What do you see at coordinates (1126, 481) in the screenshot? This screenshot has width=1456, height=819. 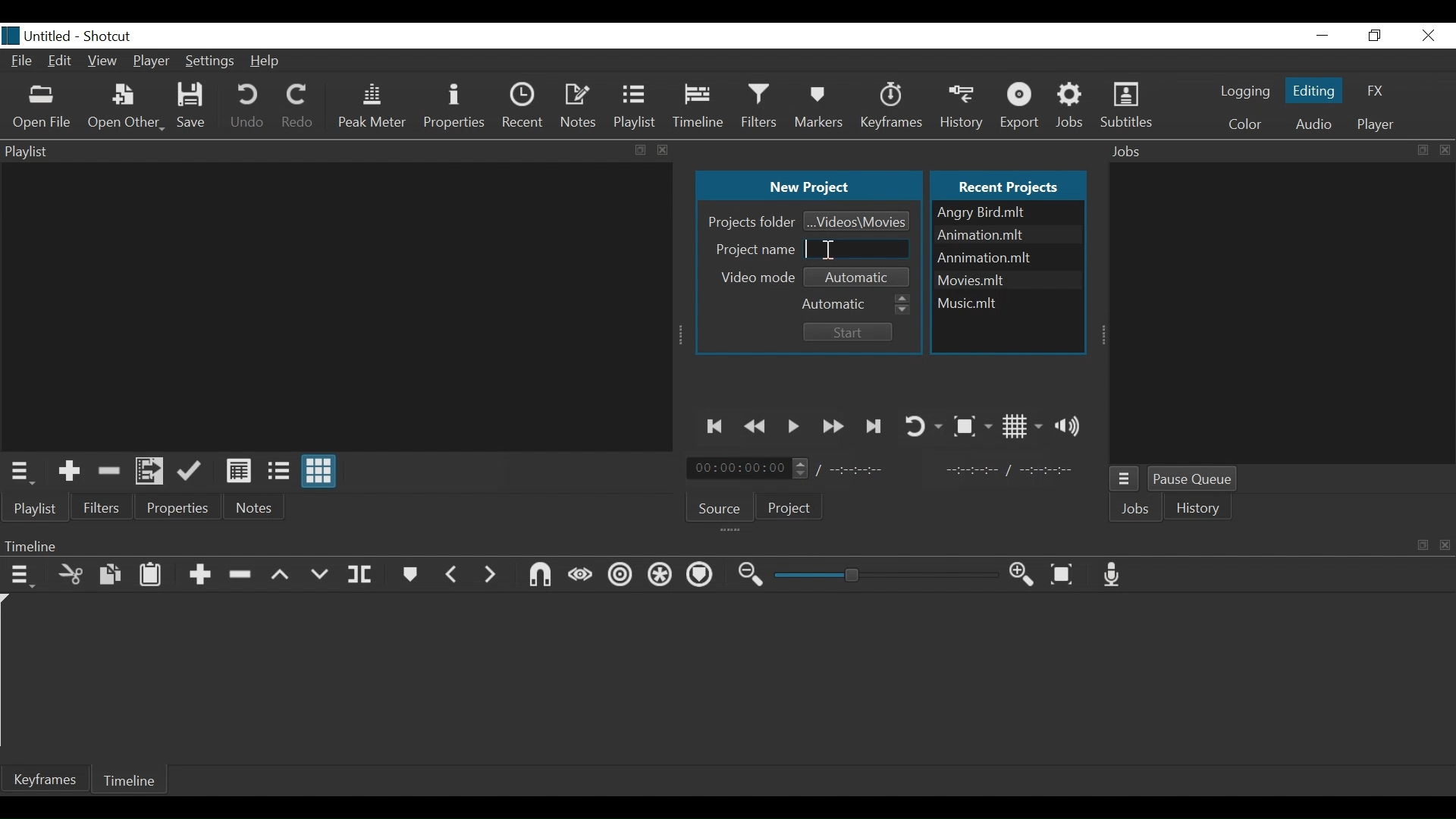 I see `Jobs Menu` at bounding box center [1126, 481].